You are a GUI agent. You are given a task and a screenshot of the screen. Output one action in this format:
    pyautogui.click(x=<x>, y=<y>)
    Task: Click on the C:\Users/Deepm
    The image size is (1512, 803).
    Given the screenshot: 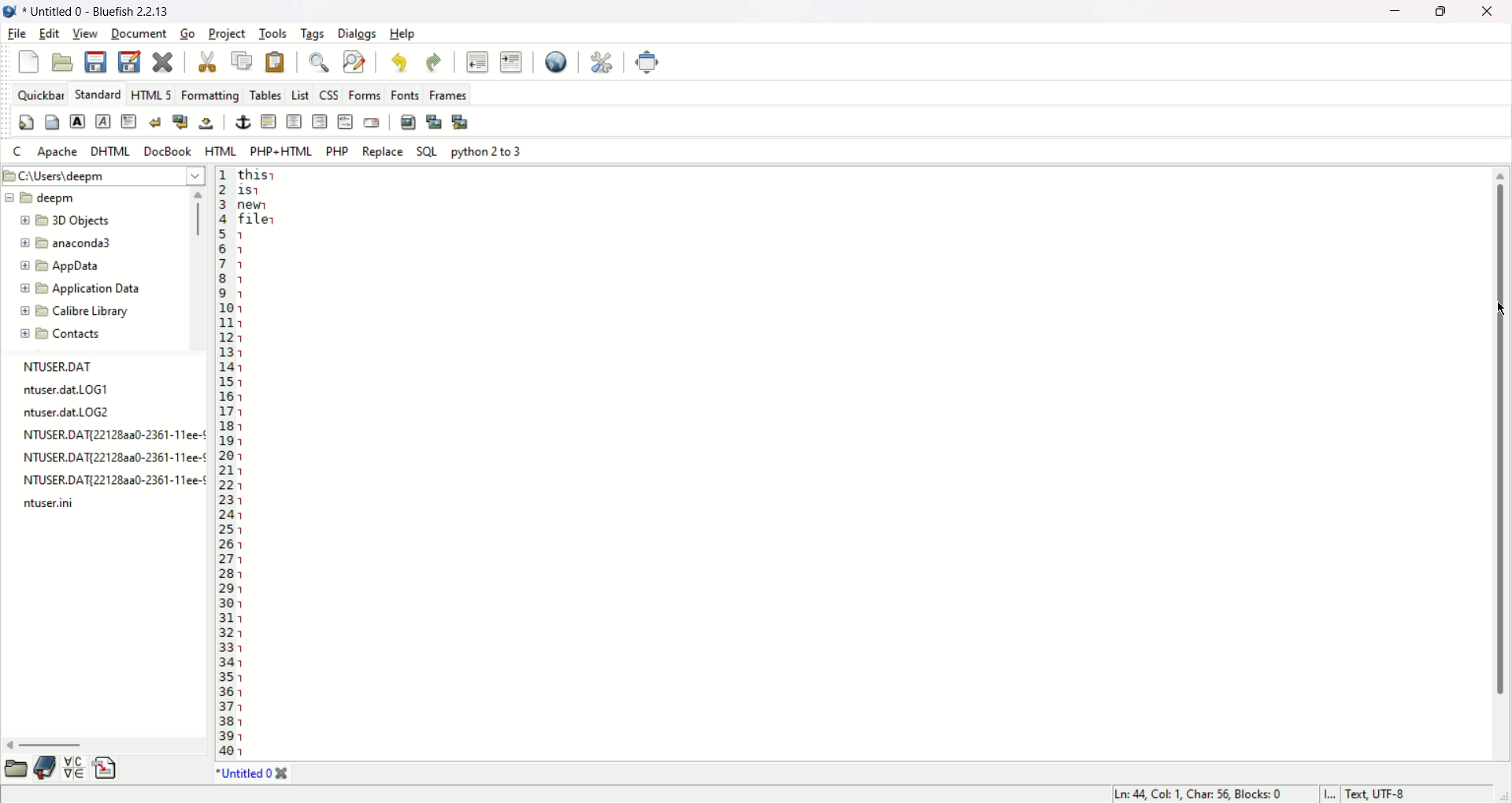 What is the action you would take?
    pyautogui.click(x=101, y=174)
    